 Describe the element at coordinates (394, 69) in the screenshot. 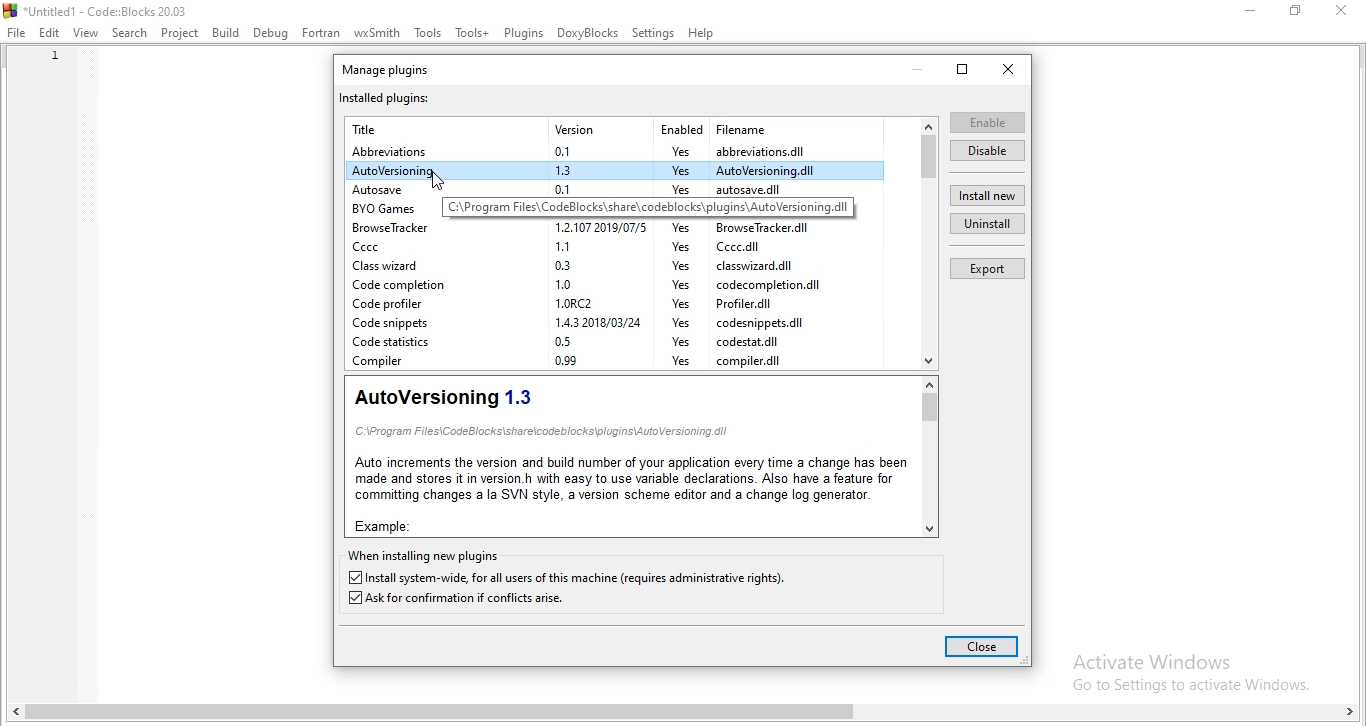

I see `manage plugins` at that location.